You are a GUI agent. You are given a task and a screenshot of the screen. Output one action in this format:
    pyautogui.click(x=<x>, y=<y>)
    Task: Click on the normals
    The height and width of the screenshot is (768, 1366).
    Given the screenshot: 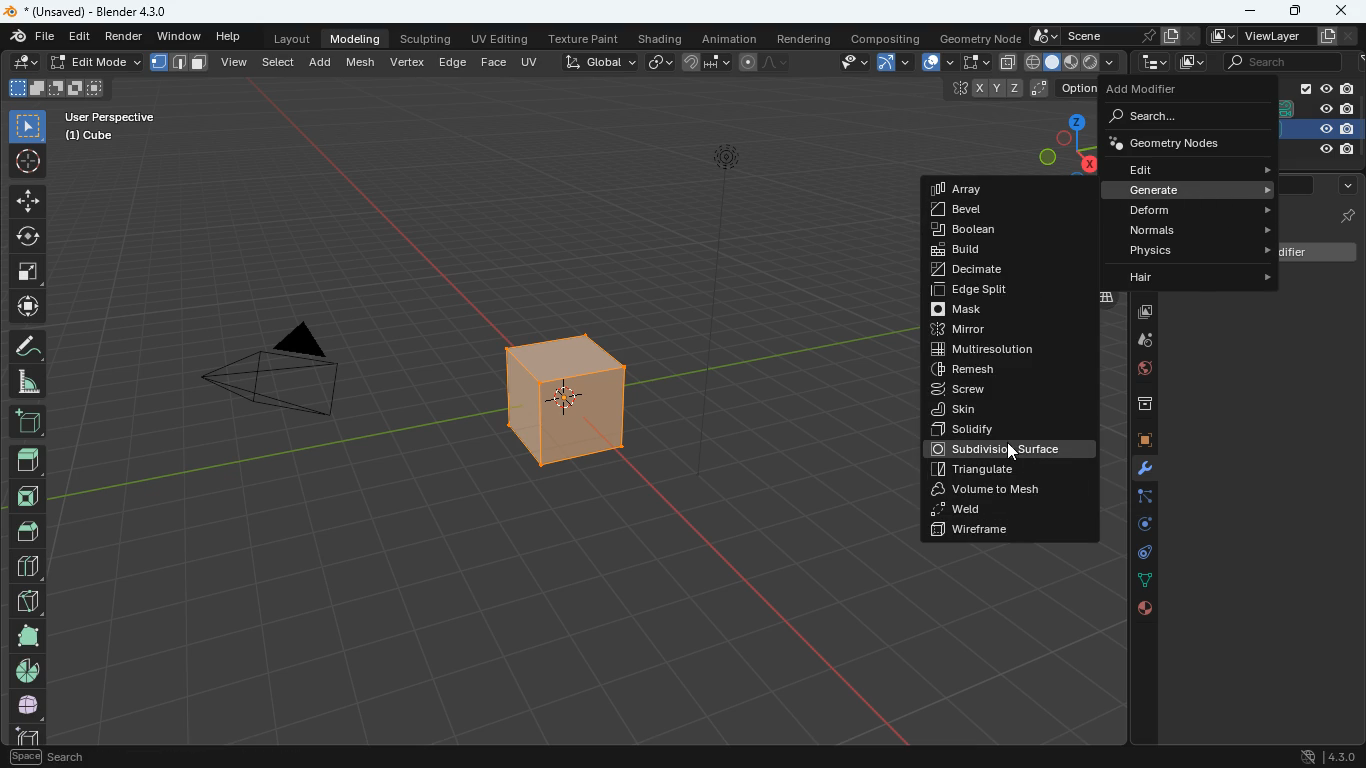 What is the action you would take?
    pyautogui.click(x=1176, y=229)
    